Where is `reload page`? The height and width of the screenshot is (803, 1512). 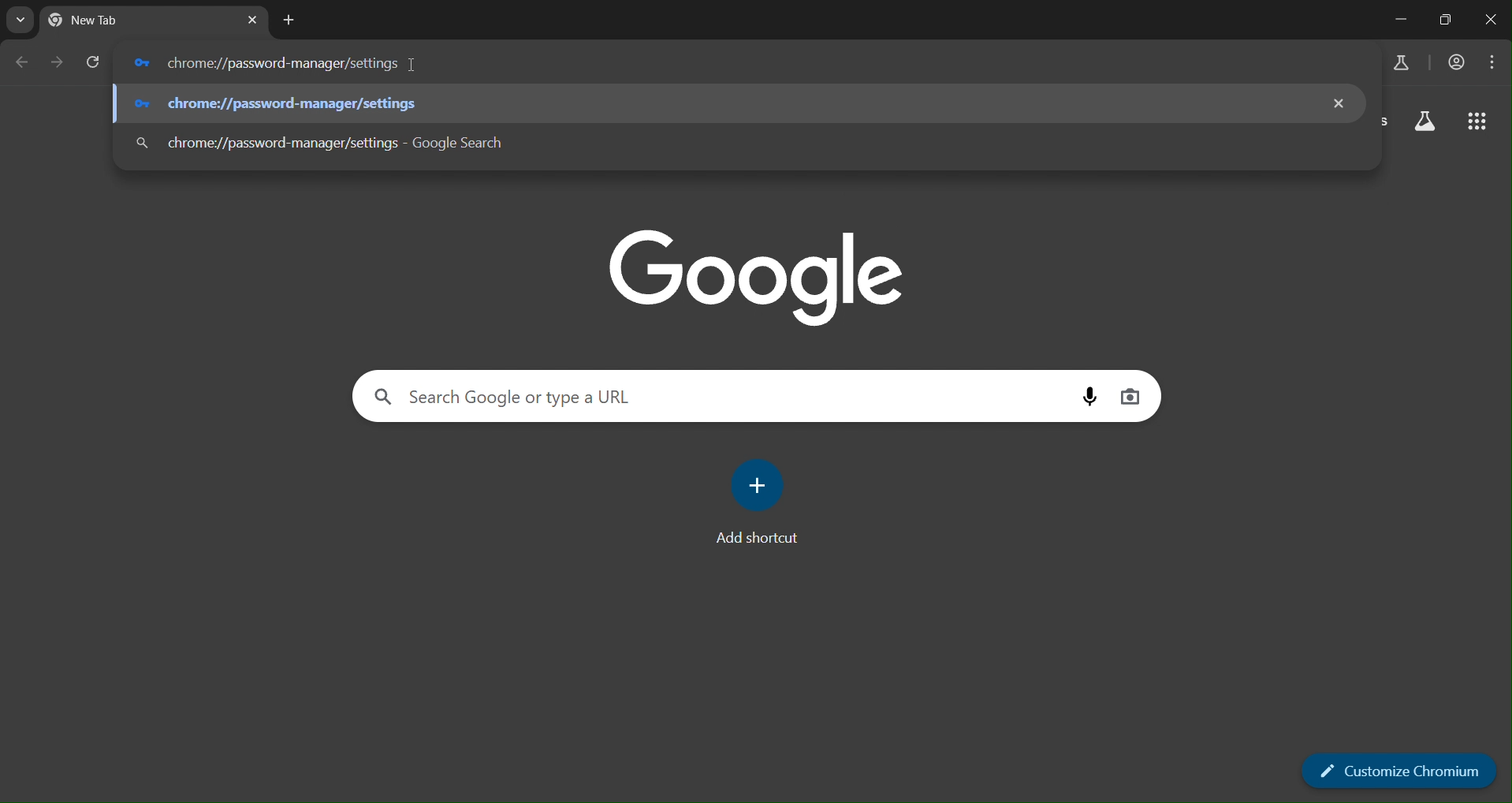
reload page is located at coordinates (95, 61).